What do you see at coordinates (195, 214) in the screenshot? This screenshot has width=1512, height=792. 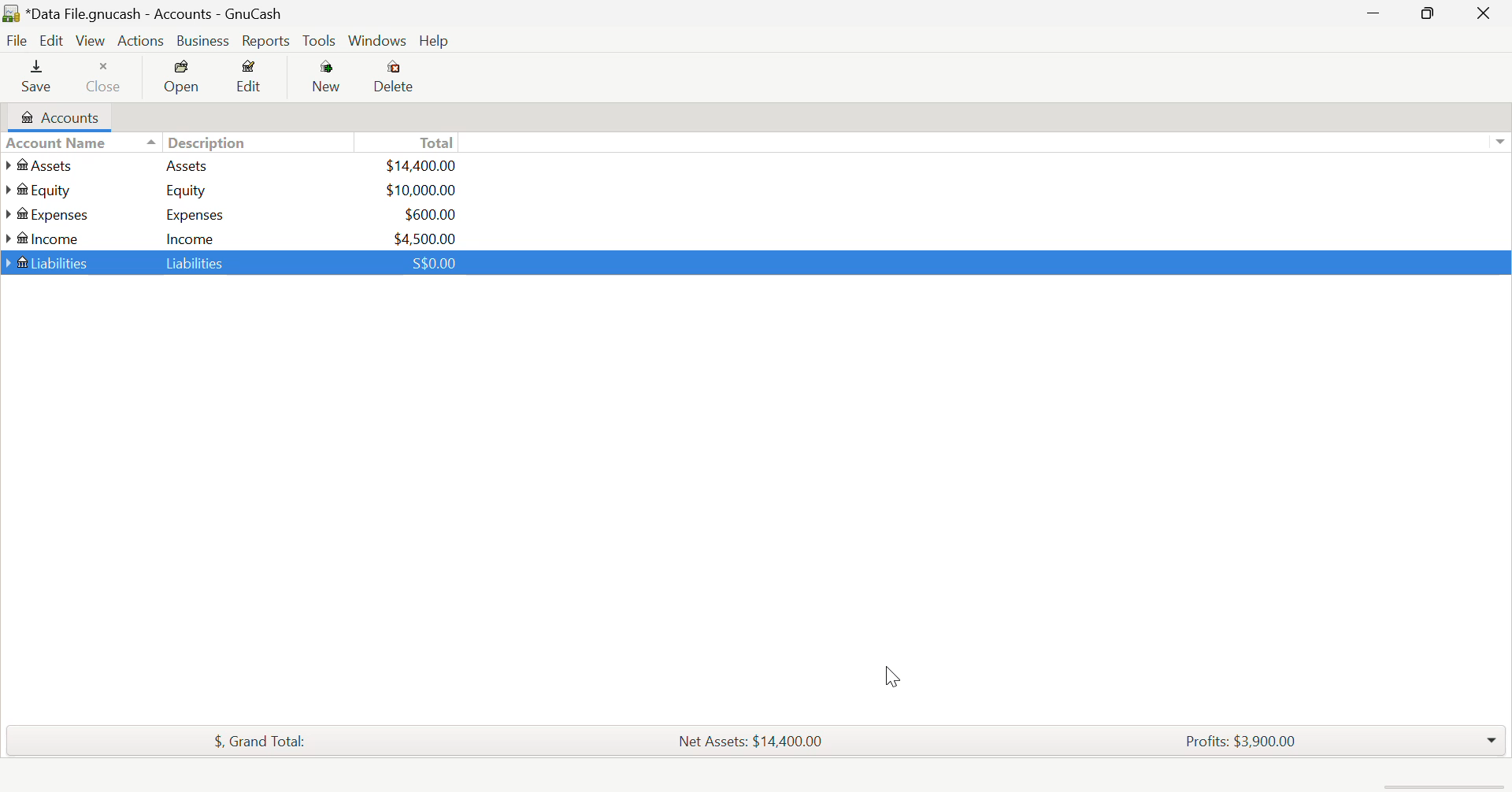 I see `Expenses` at bounding box center [195, 214].